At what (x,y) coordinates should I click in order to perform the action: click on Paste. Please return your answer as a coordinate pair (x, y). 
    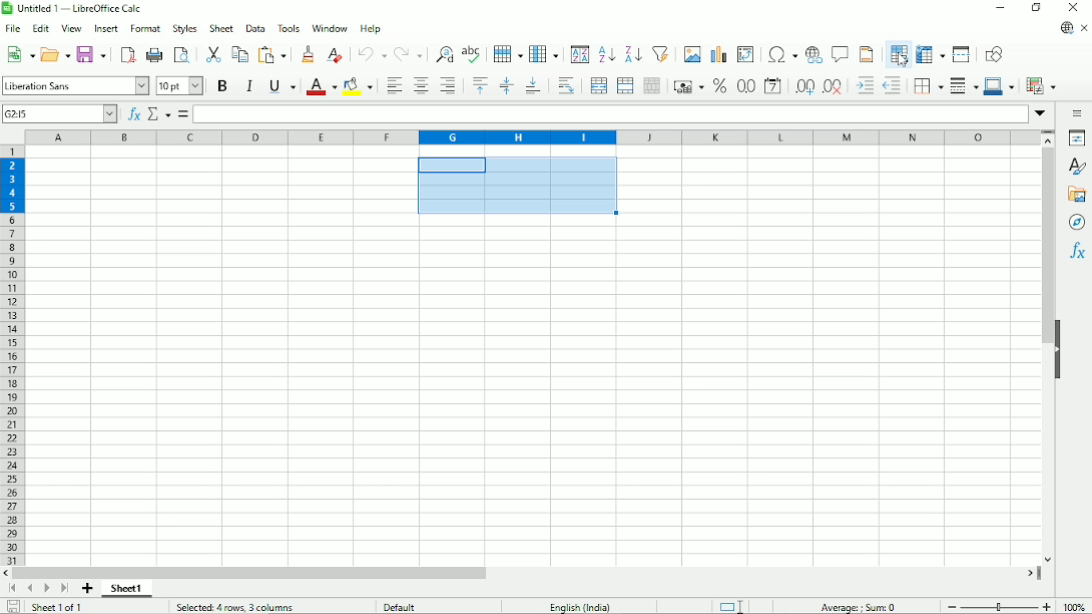
    Looking at the image, I should click on (273, 54).